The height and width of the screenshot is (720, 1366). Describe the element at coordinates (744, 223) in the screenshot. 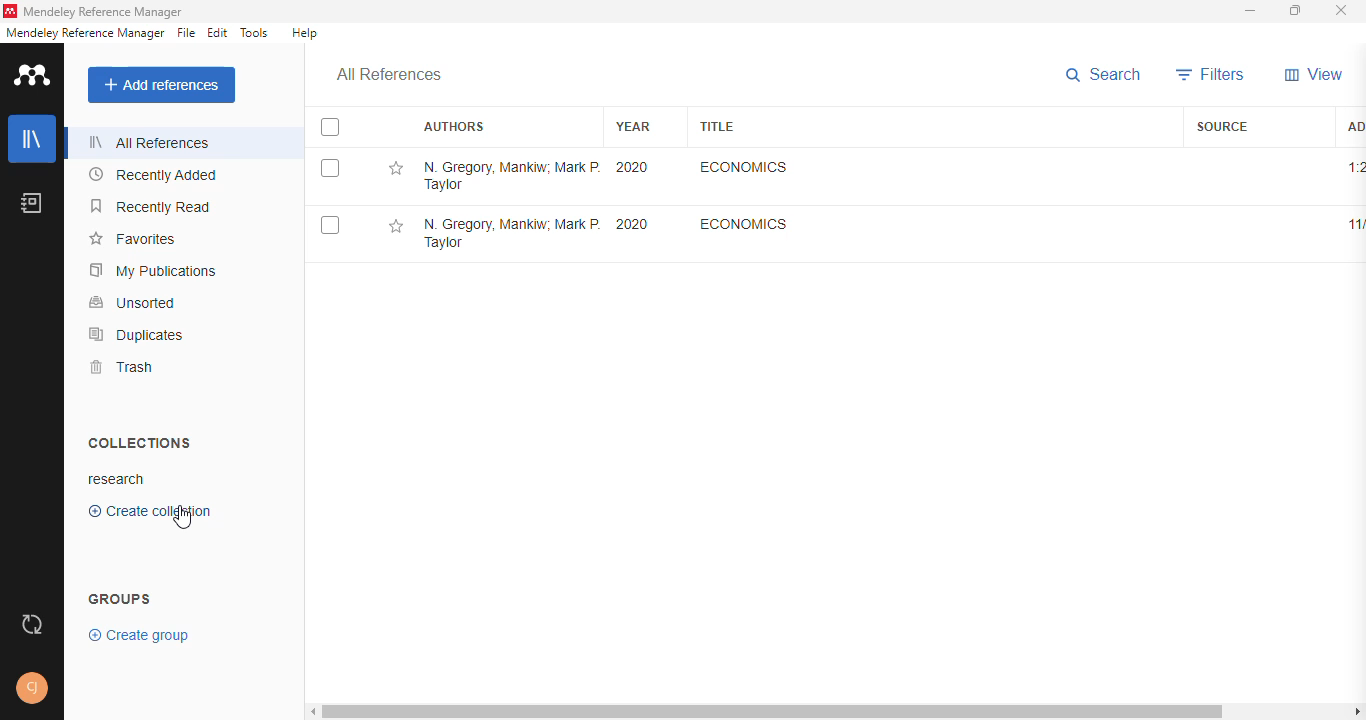

I see `Economics` at that location.